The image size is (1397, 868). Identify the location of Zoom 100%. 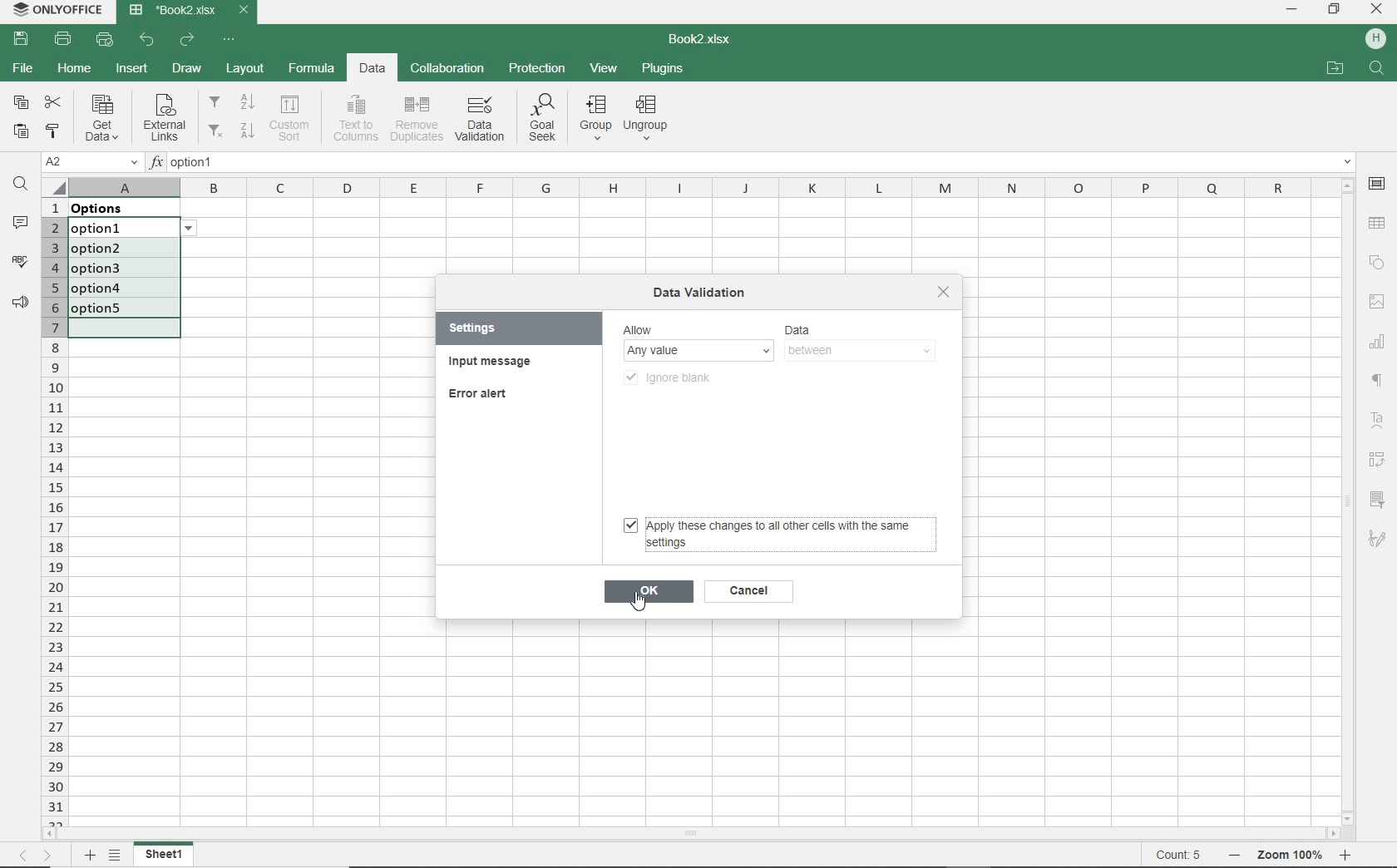
(1292, 855).